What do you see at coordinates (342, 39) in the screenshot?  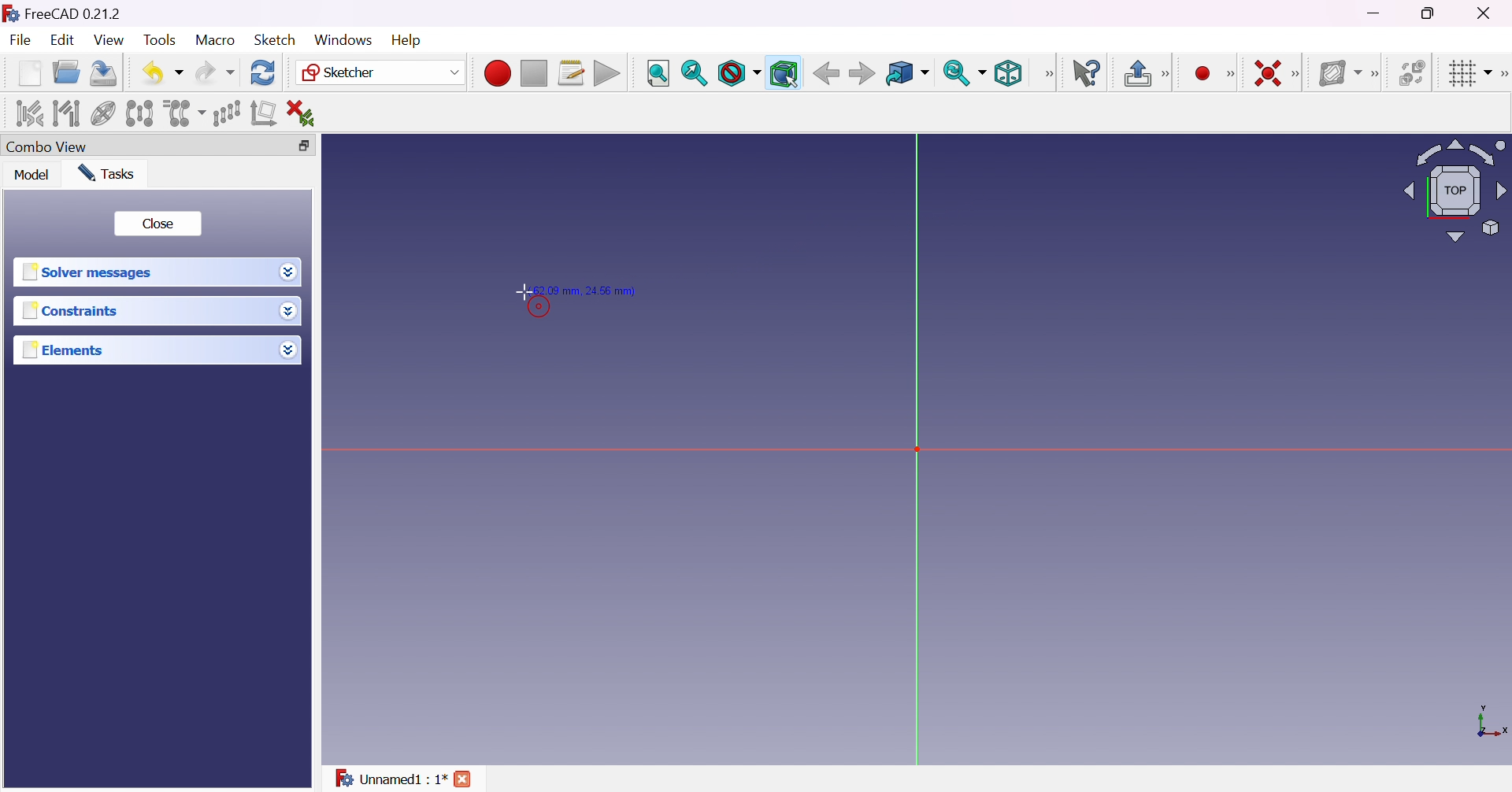 I see `Windows` at bounding box center [342, 39].